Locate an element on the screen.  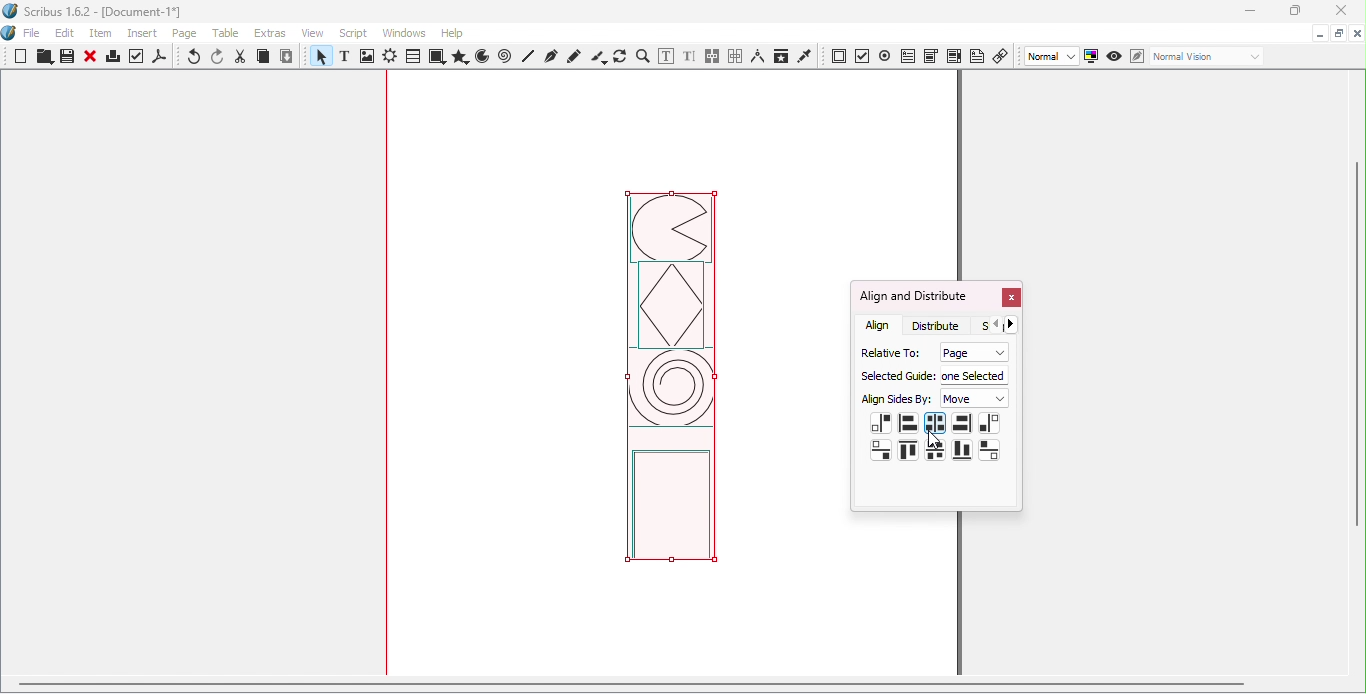
Link text frames is located at coordinates (713, 57).